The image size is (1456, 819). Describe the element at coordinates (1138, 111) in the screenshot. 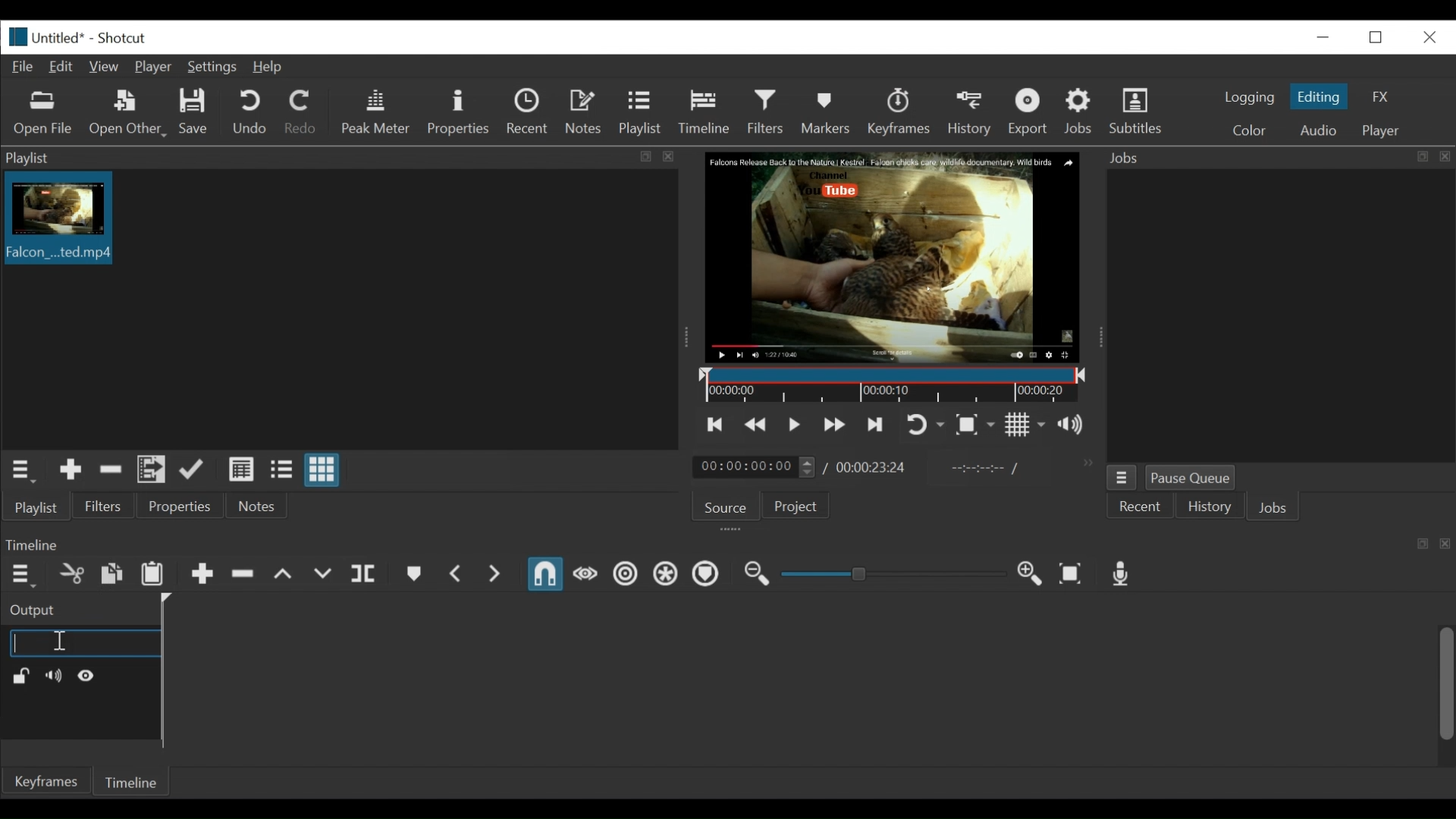

I see `Subtitles` at that location.